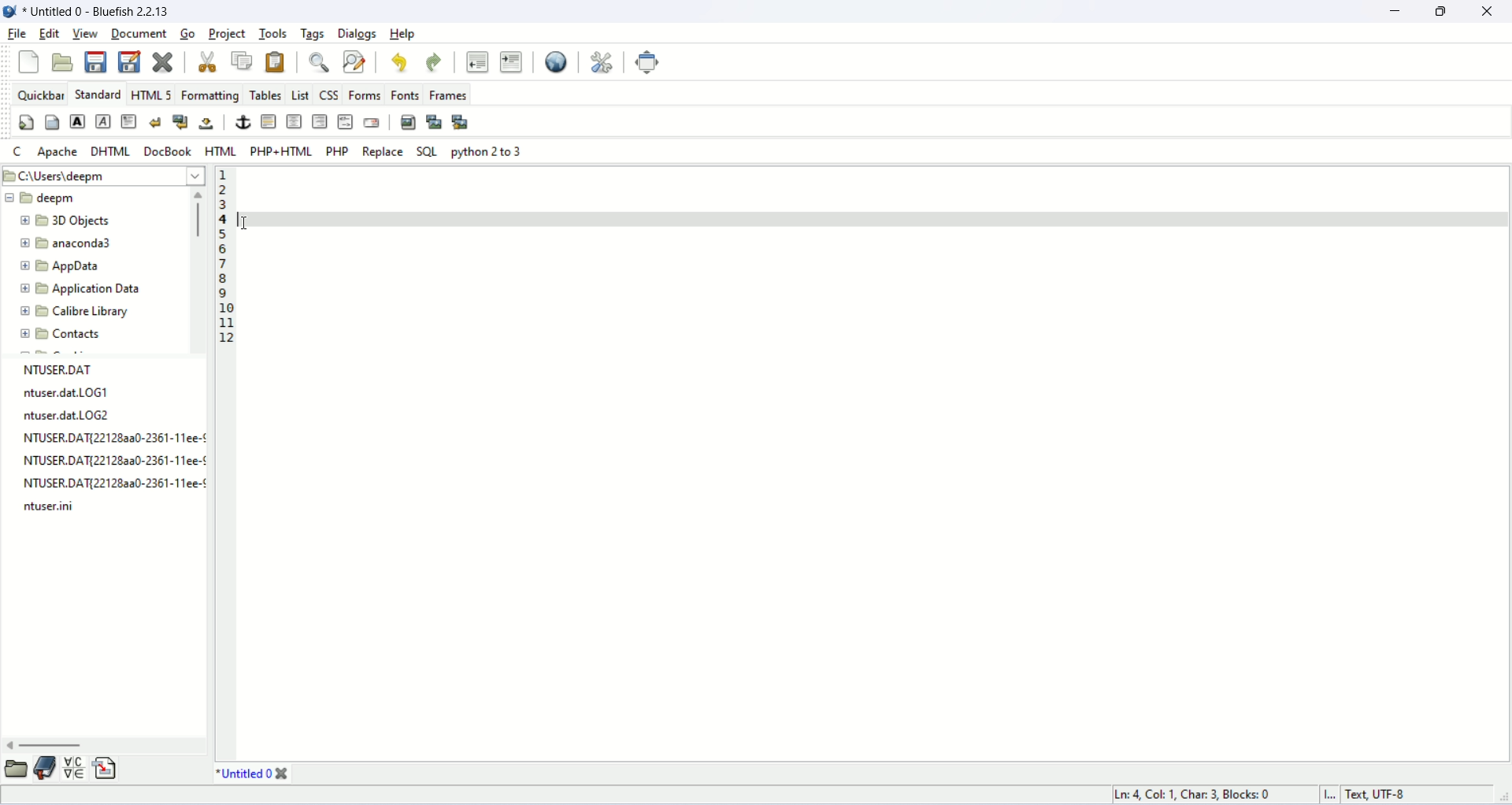 This screenshot has width=1512, height=805. What do you see at coordinates (58, 152) in the screenshot?
I see `apache` at bounding box center [58, 152].